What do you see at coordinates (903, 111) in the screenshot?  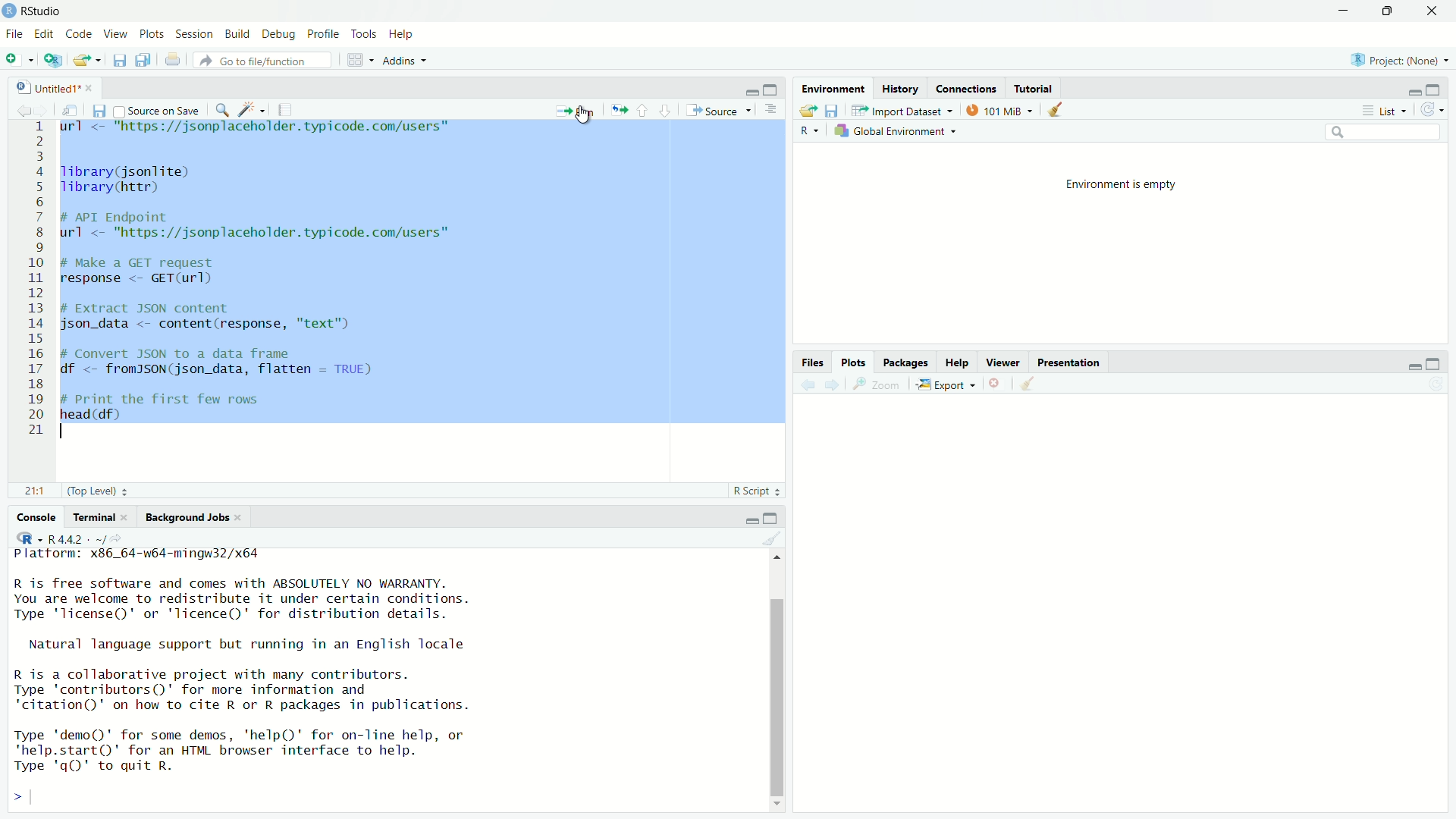 I see `Import Dataset ` at bounding box center [903, 111].